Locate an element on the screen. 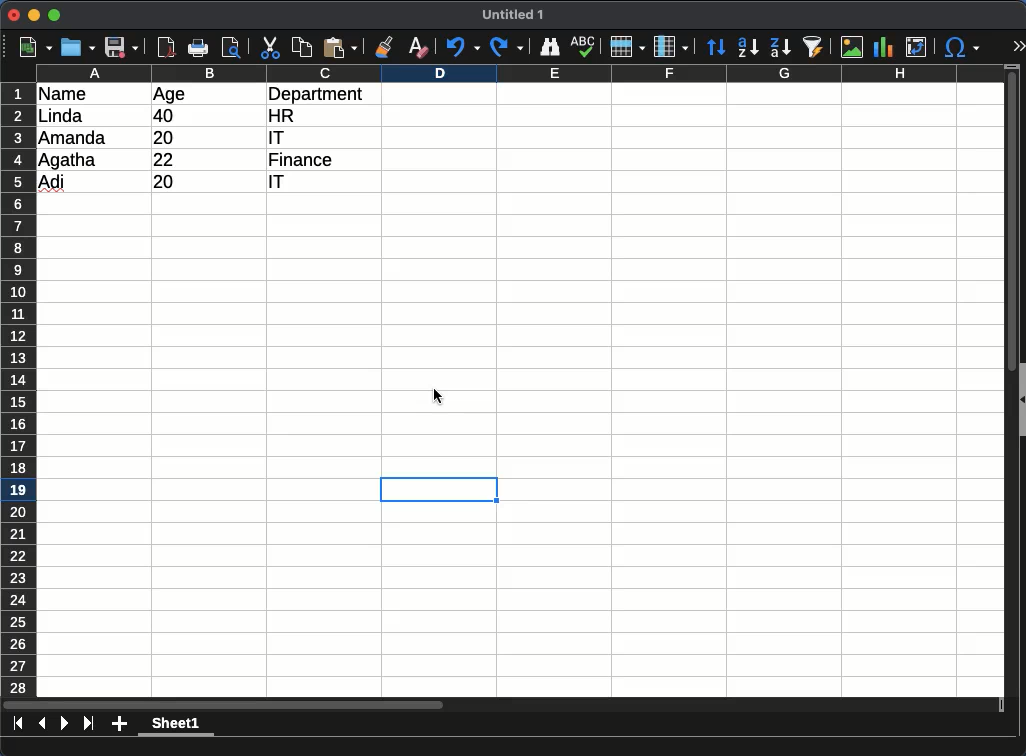  hr is located at coordinates (283, 115).